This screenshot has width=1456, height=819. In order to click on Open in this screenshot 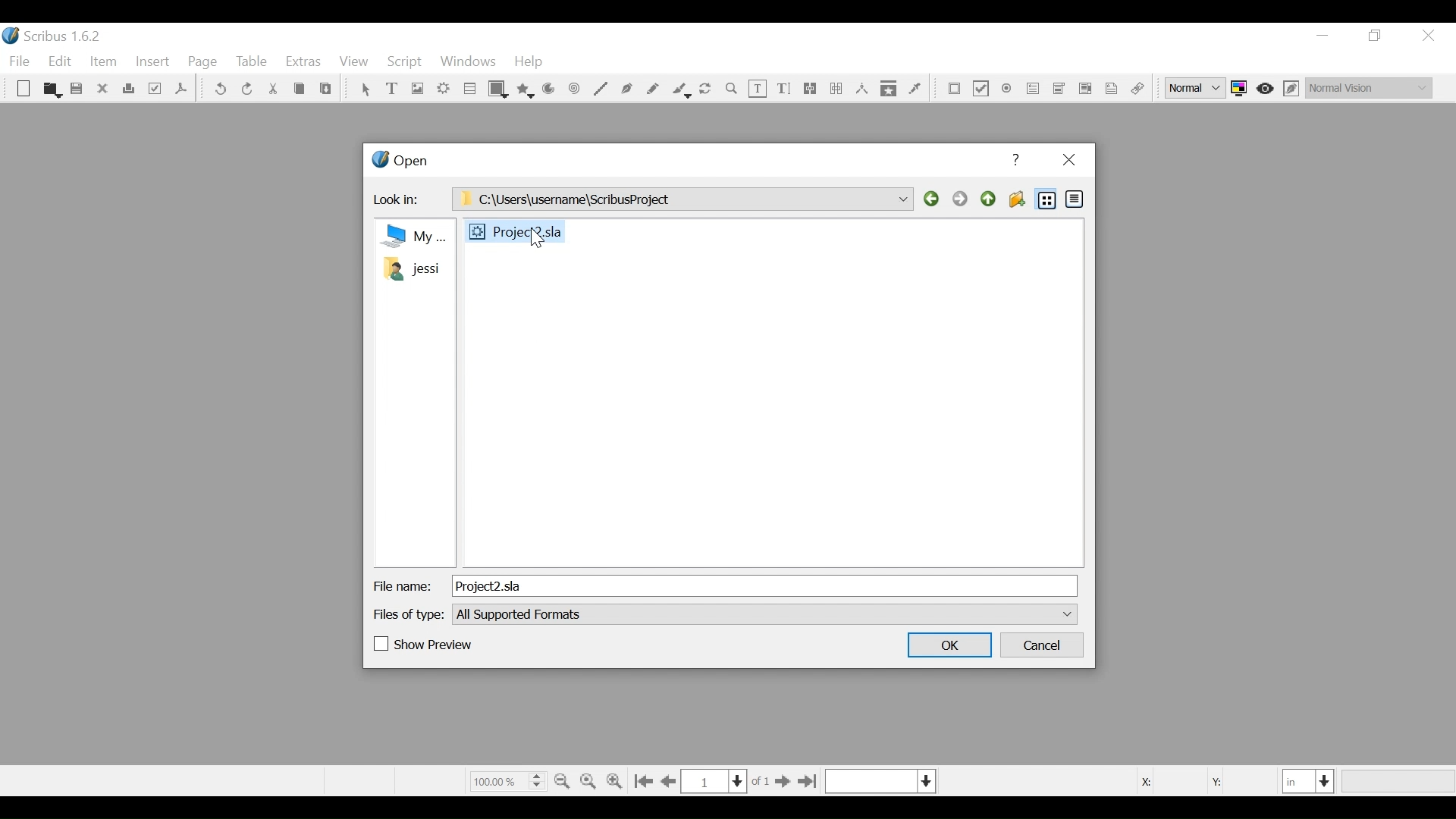, I will do `click(399, 162)`.